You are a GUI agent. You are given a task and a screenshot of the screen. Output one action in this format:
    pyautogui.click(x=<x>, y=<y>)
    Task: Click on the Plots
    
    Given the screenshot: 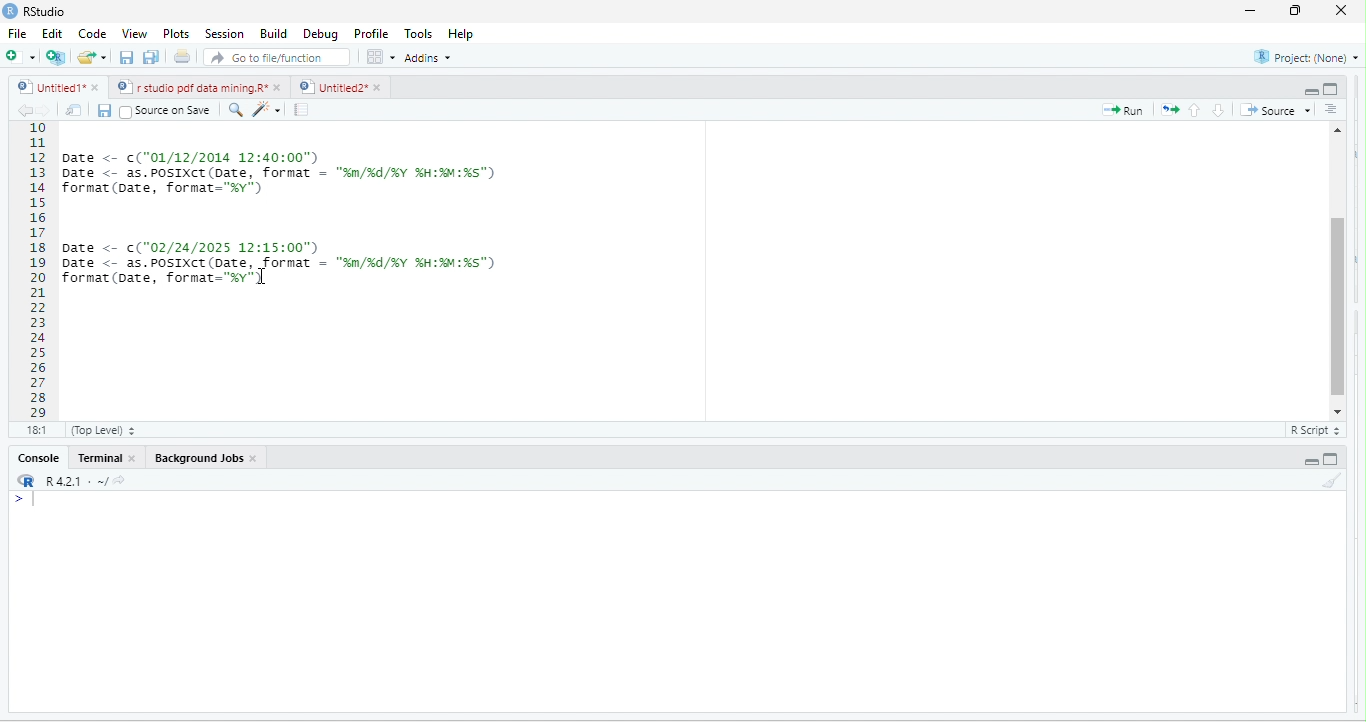 What is the action you would take?
    pyautogui.click(x=176, y=35)
    